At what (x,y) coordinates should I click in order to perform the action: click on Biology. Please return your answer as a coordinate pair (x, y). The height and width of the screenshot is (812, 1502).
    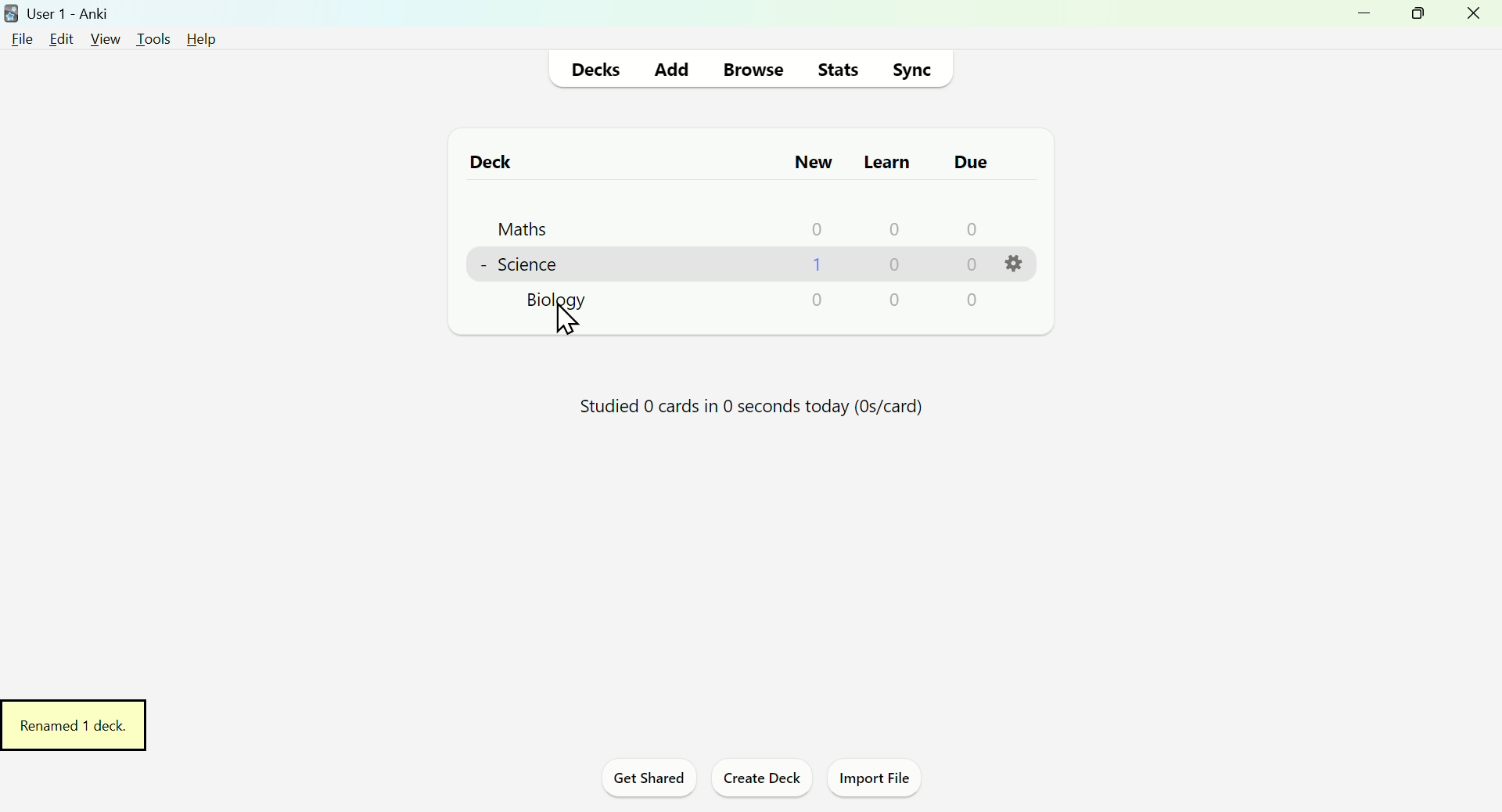
    Looking at the image, I should click on (561, 303).